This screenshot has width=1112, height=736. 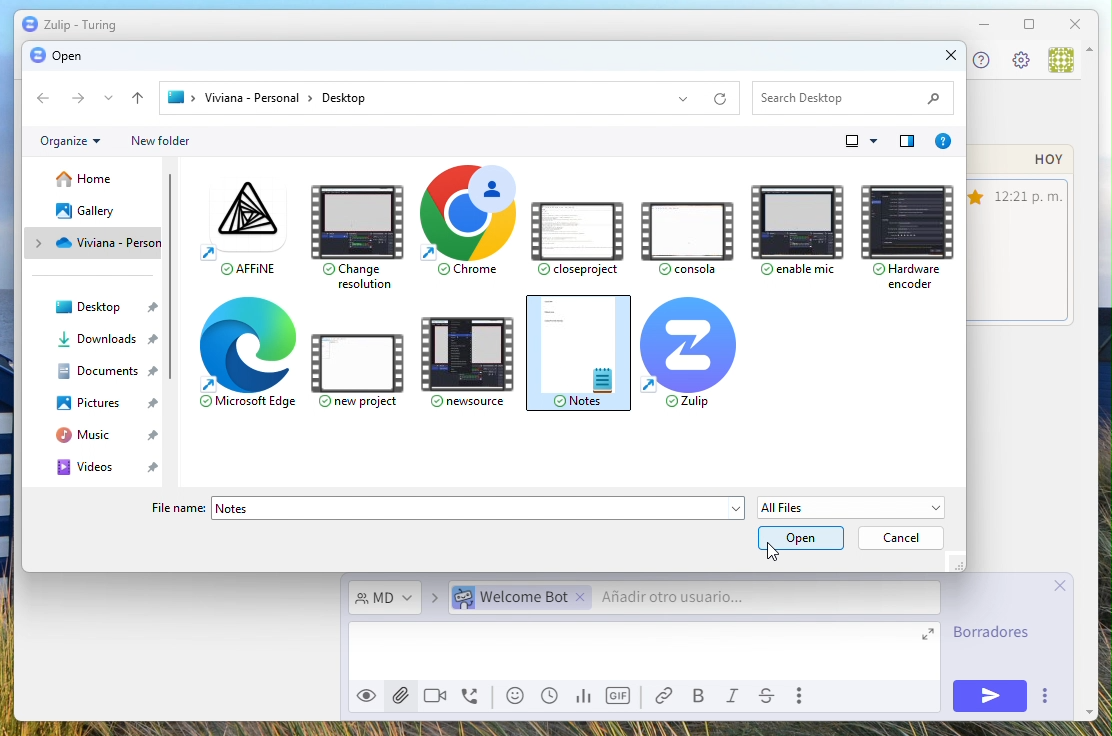 What do you see at coordinates (577, 230) in the screenshot?
I see `closeproject` at bounding box center [577, 230].